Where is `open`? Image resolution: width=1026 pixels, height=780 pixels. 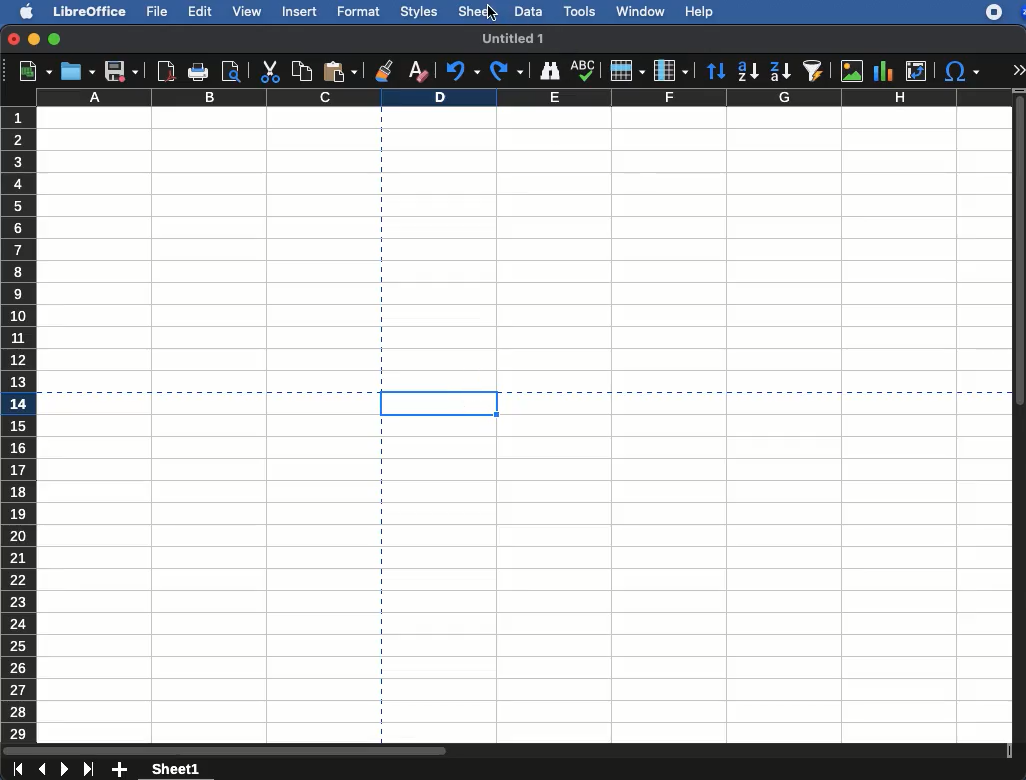
open is located at coordinates (78, 70).